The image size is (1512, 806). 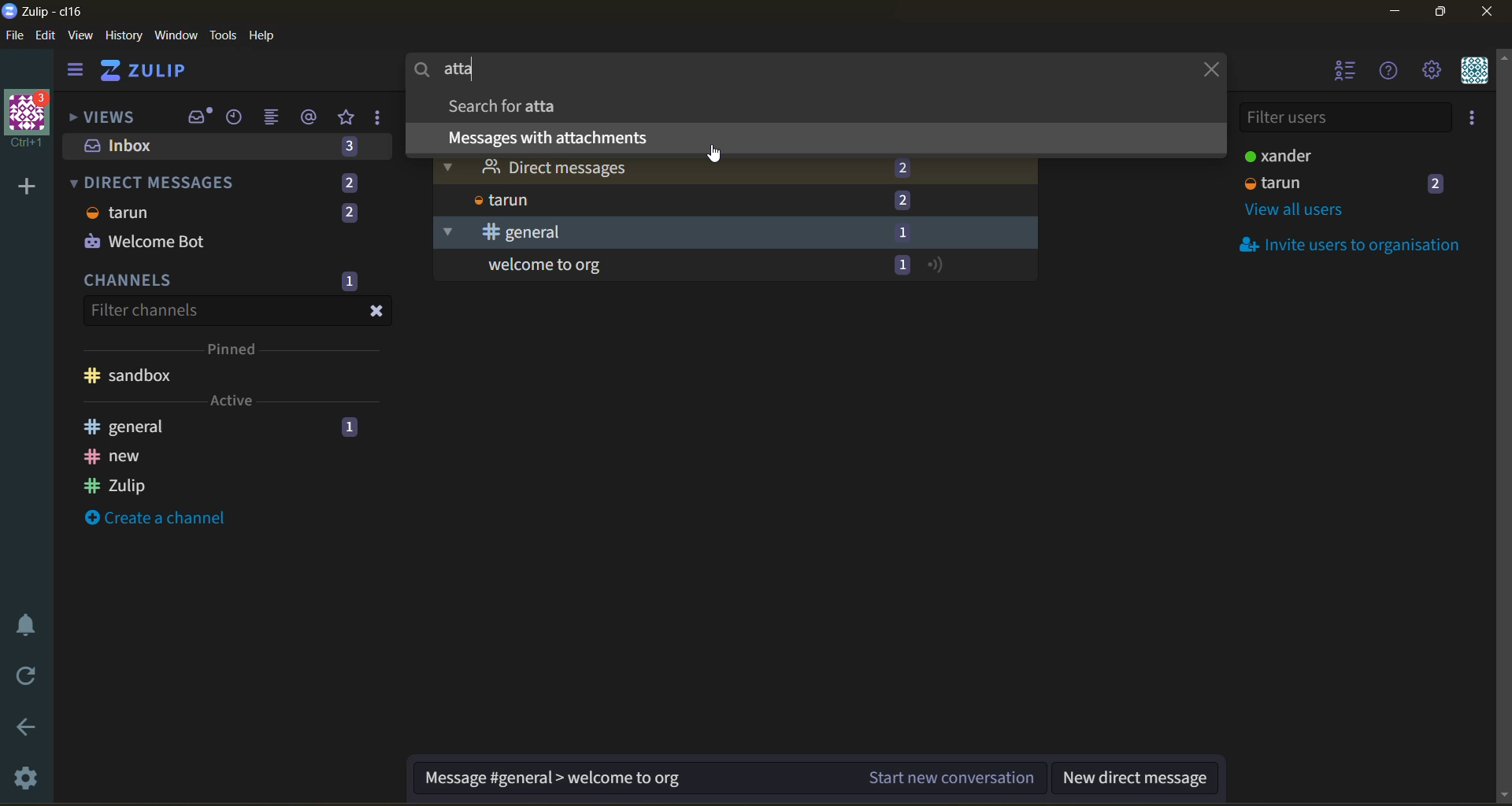 What do you see at coordinates (155, 182) in the screenshot?
I see `DIRECT MESSAGES` at bounding box center [155, 182].